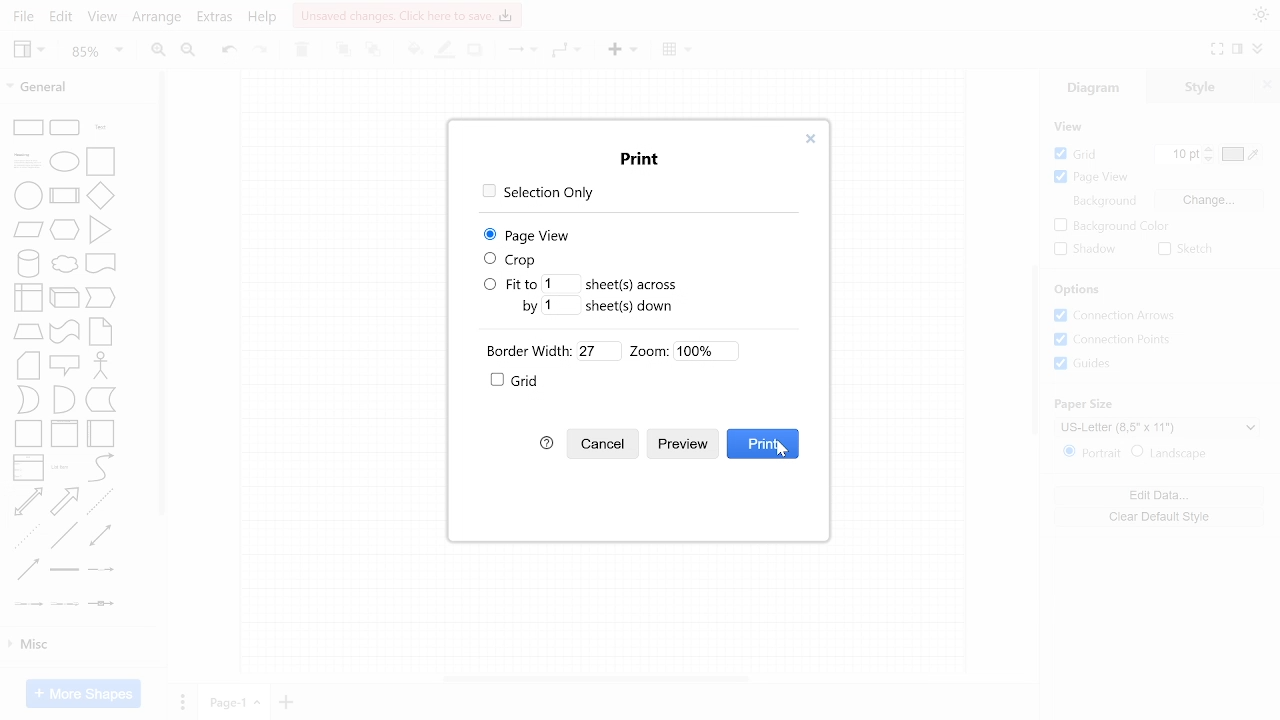  I want to click on Edit data, so click(1160, 496).